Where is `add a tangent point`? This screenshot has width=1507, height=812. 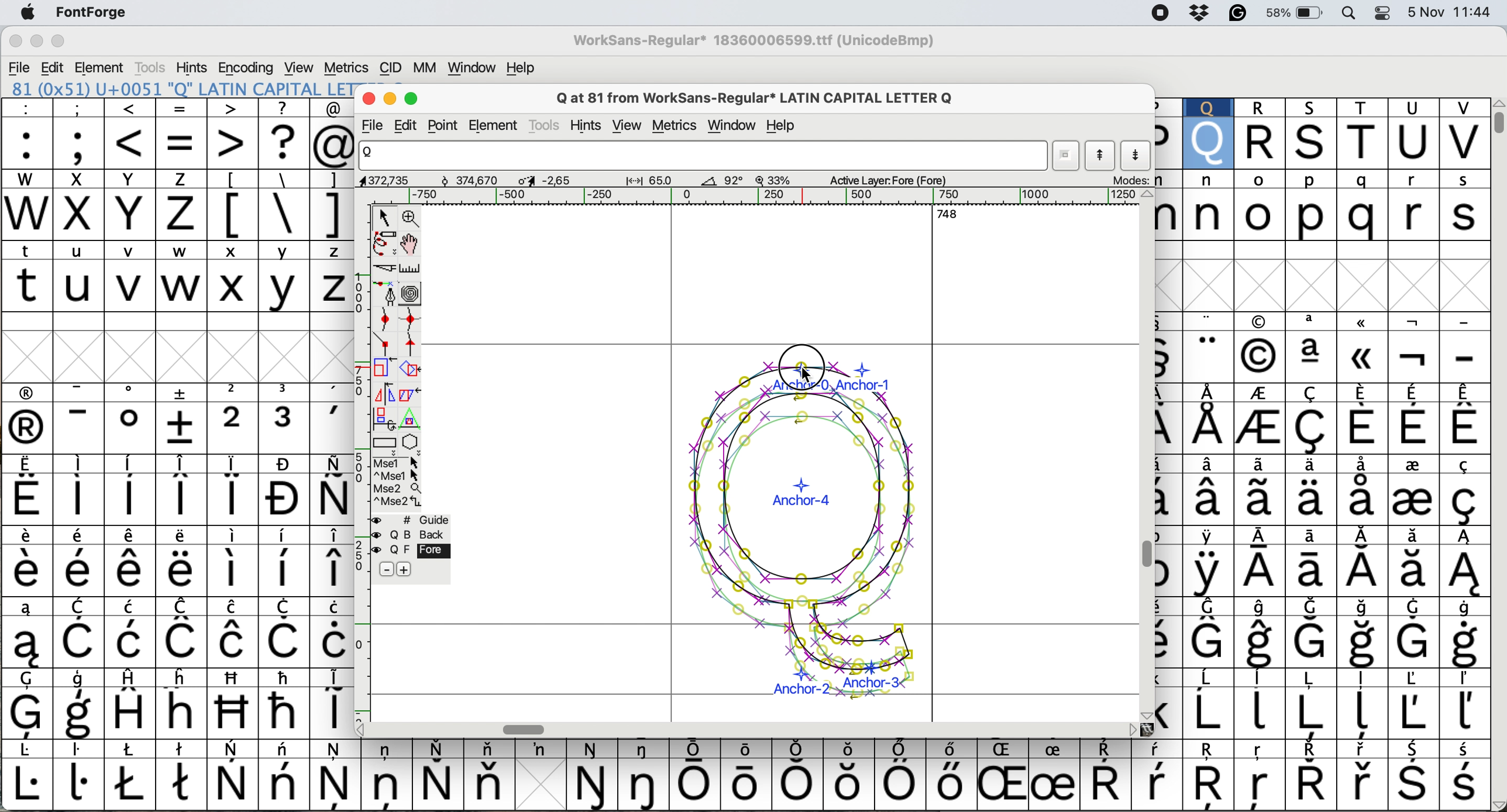
add a tangent point is located at coordinates (413, 346).